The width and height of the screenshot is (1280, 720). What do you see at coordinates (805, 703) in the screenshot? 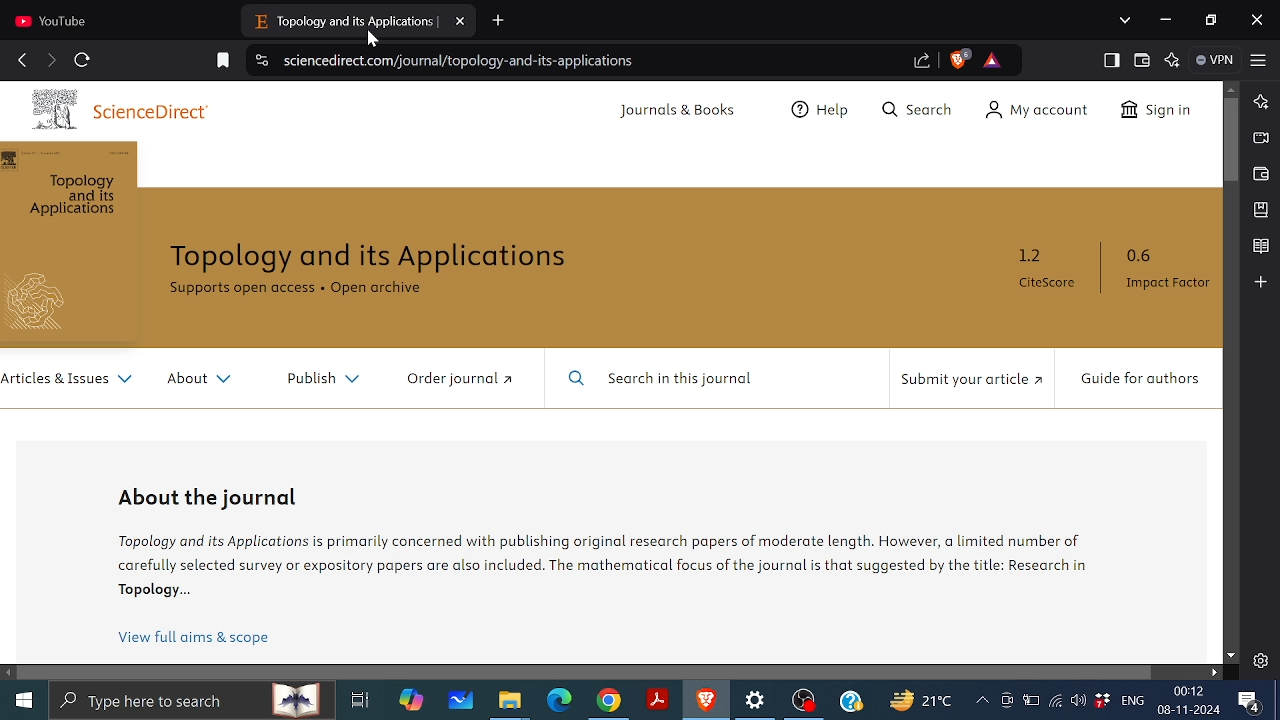
I see `OBS recorder` at bounding box center [805, 703].